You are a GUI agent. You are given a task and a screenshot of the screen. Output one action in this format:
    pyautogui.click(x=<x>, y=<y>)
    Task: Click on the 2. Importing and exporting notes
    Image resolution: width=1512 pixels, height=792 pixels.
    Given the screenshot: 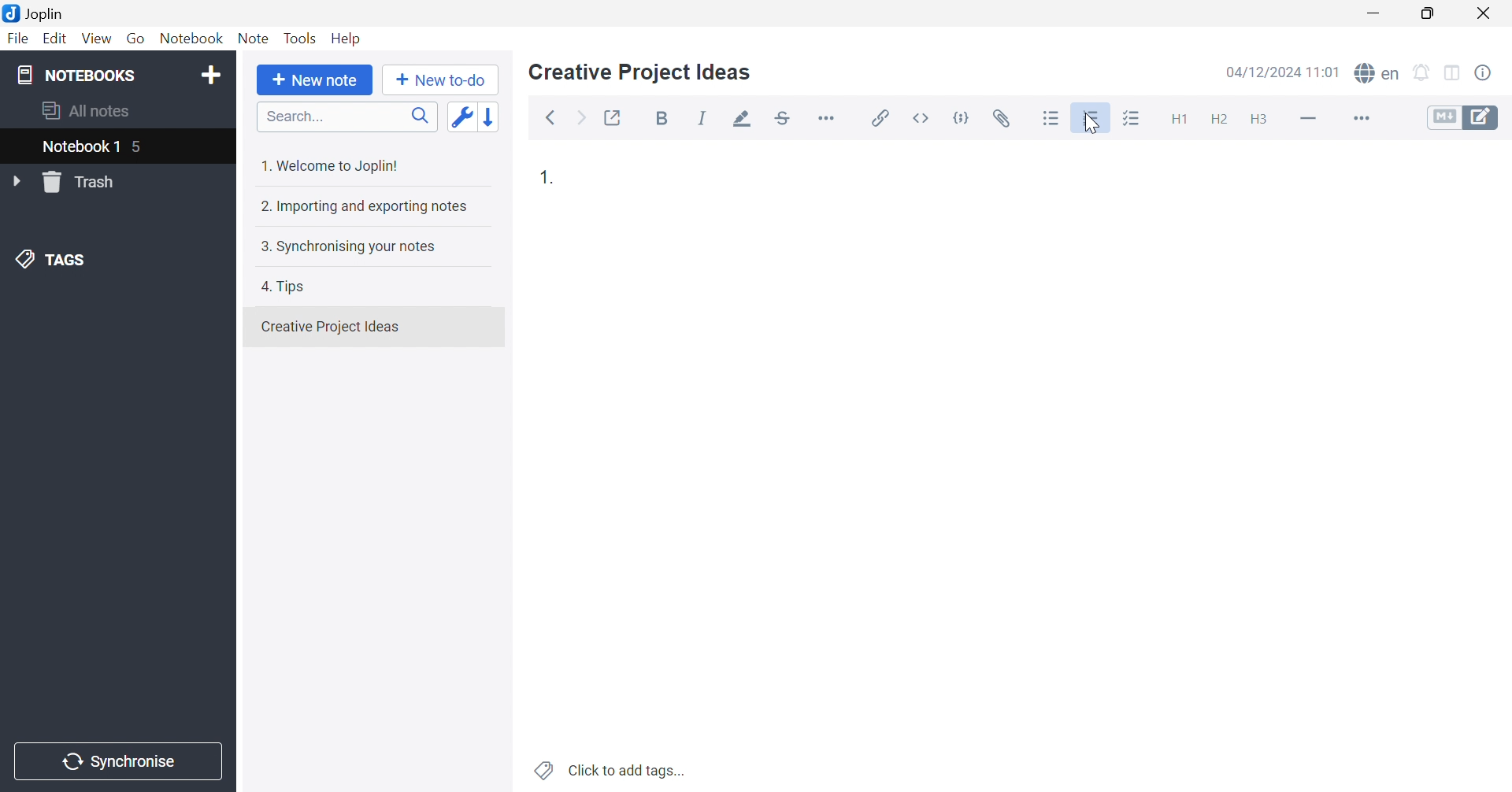 What is the action you would take?
    pyautogui.click(x=367, y=208)
    